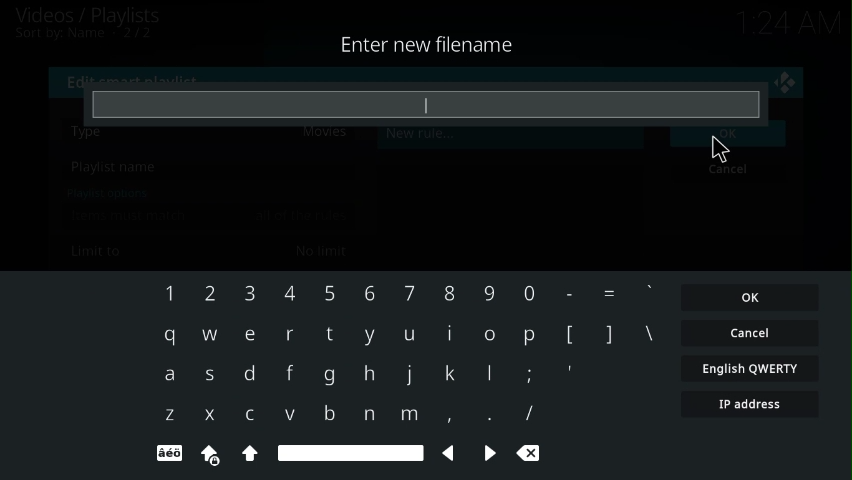  What do you see at coordinates (288, 336) in the screenshot?
I see `r` at bounding box center [288, 336].